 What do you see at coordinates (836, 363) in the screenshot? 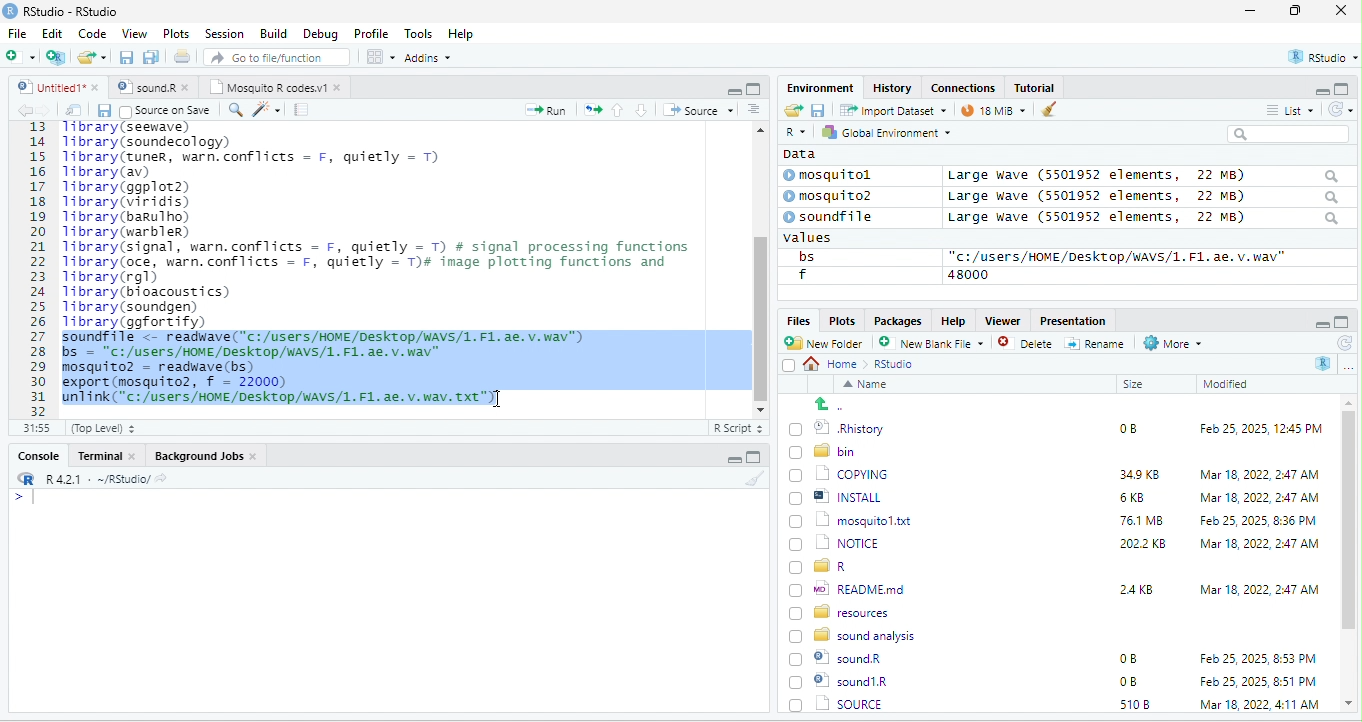
I see ` Home` at bounding box center [836, 363].